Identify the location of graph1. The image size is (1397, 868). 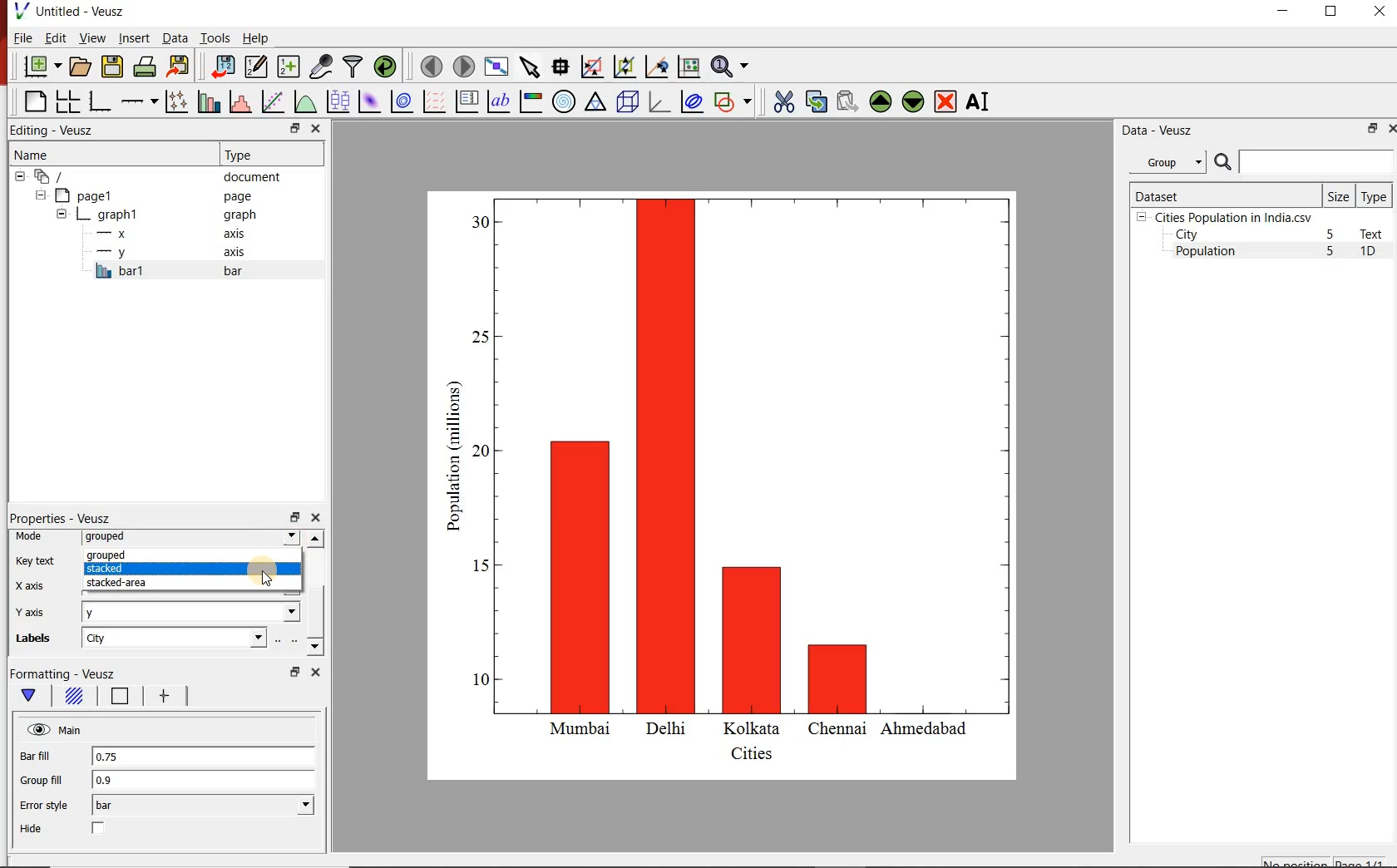
(743, 481).